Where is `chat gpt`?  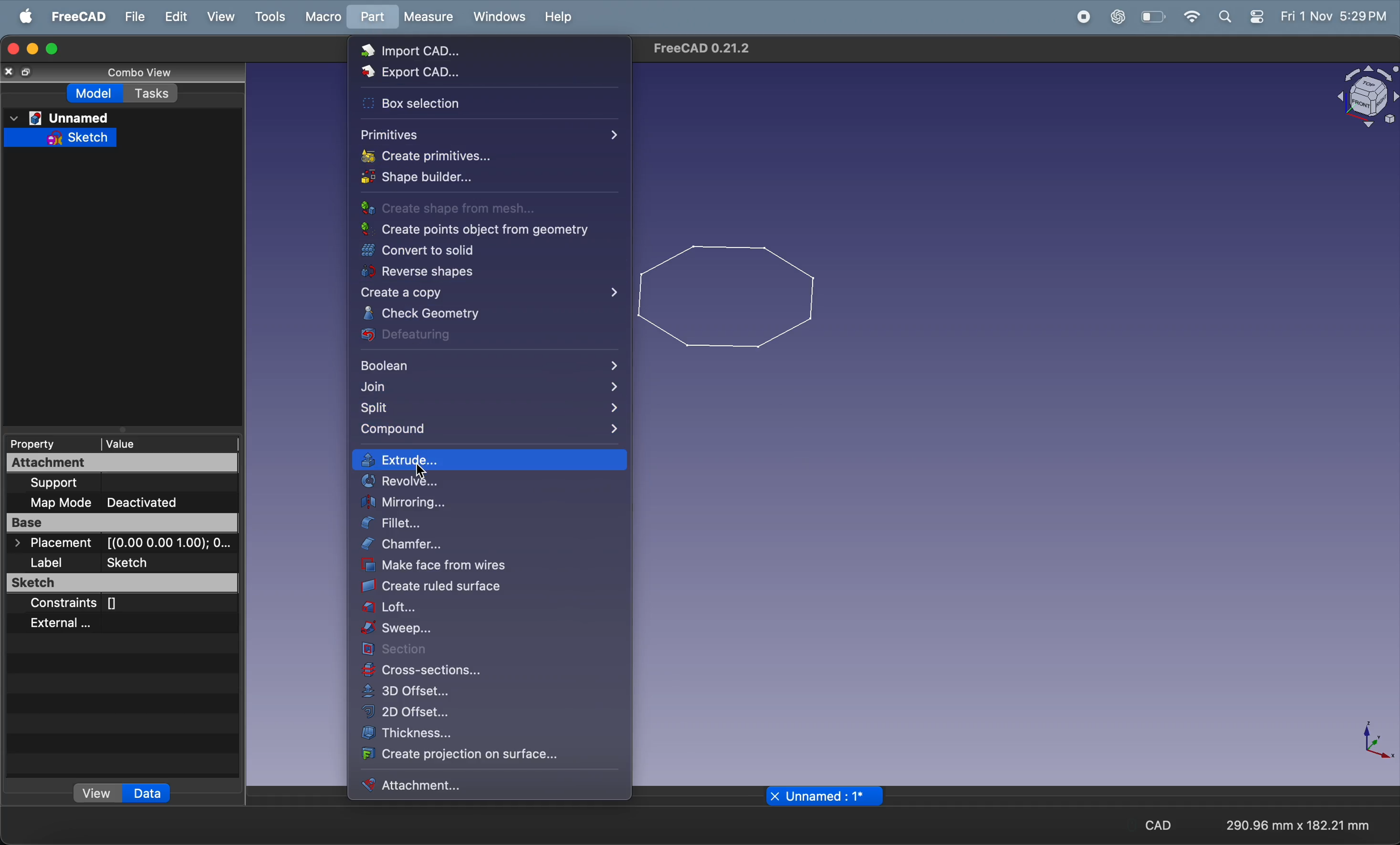
chat gpt is located at coordinates (1116, 17).